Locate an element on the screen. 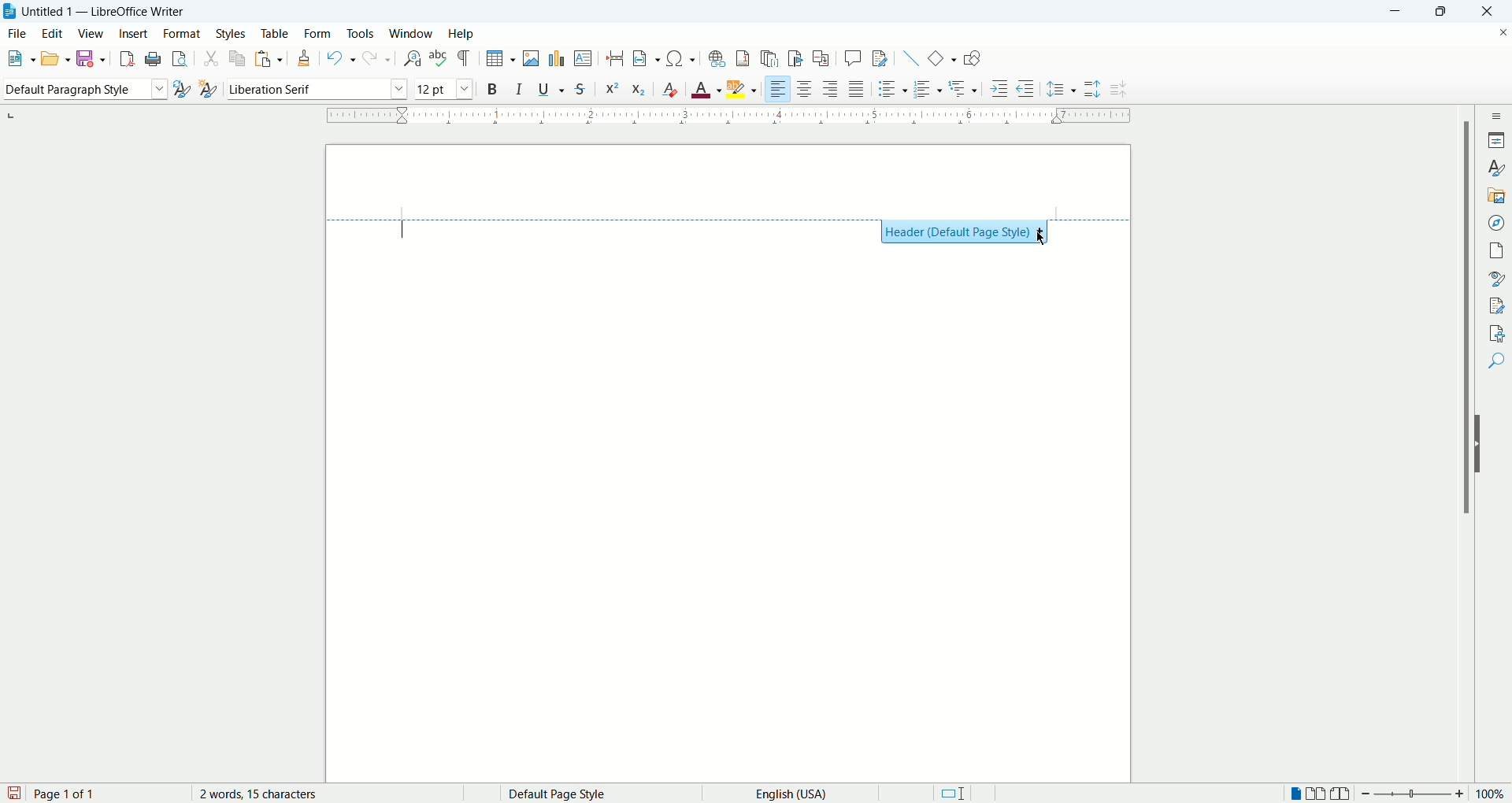 The image size is (1512, 803). insert cross references is located at coordinates (822, 56).